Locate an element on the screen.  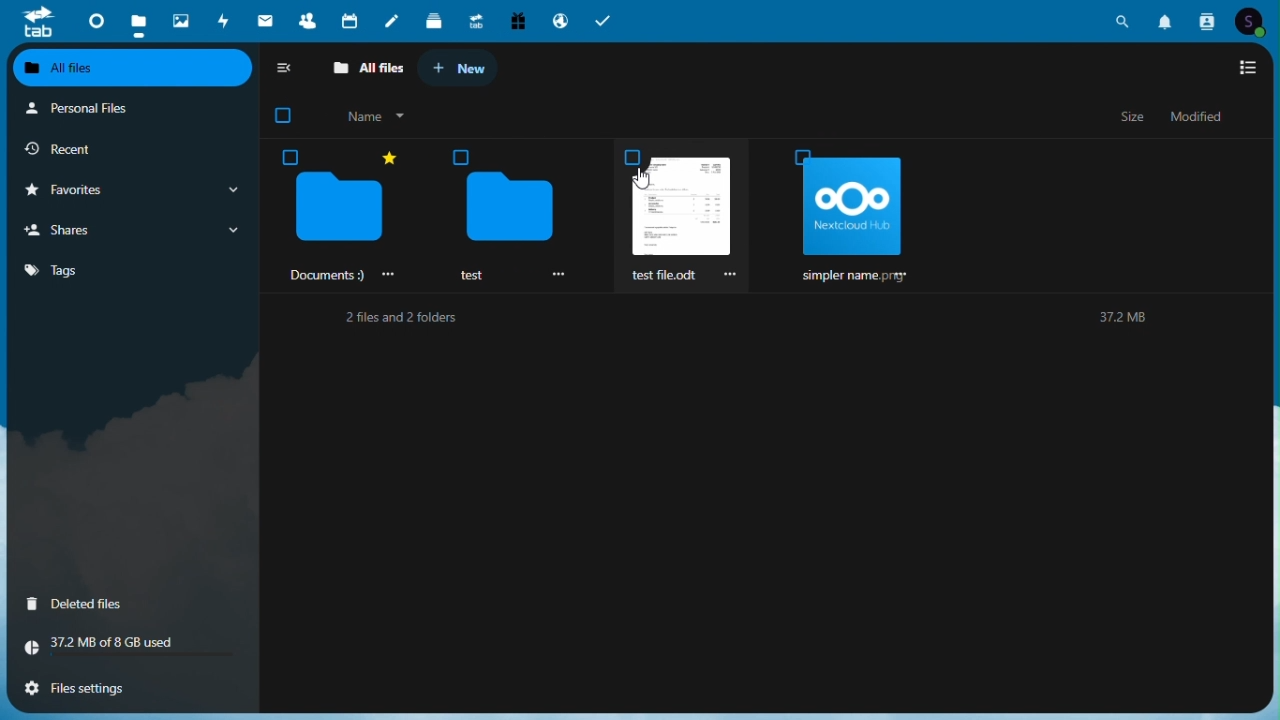
Photos is located at coordinates (183, 20).